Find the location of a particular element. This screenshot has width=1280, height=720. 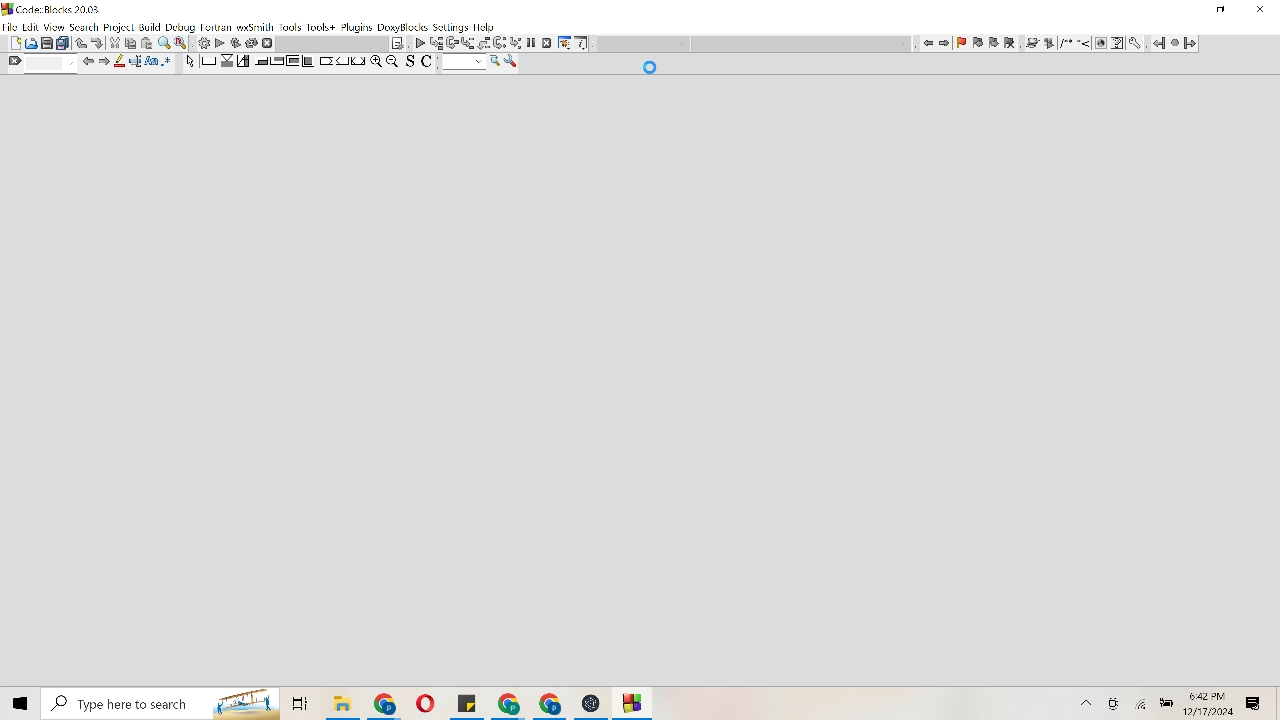

Move left is located at coordinates (88, 61).